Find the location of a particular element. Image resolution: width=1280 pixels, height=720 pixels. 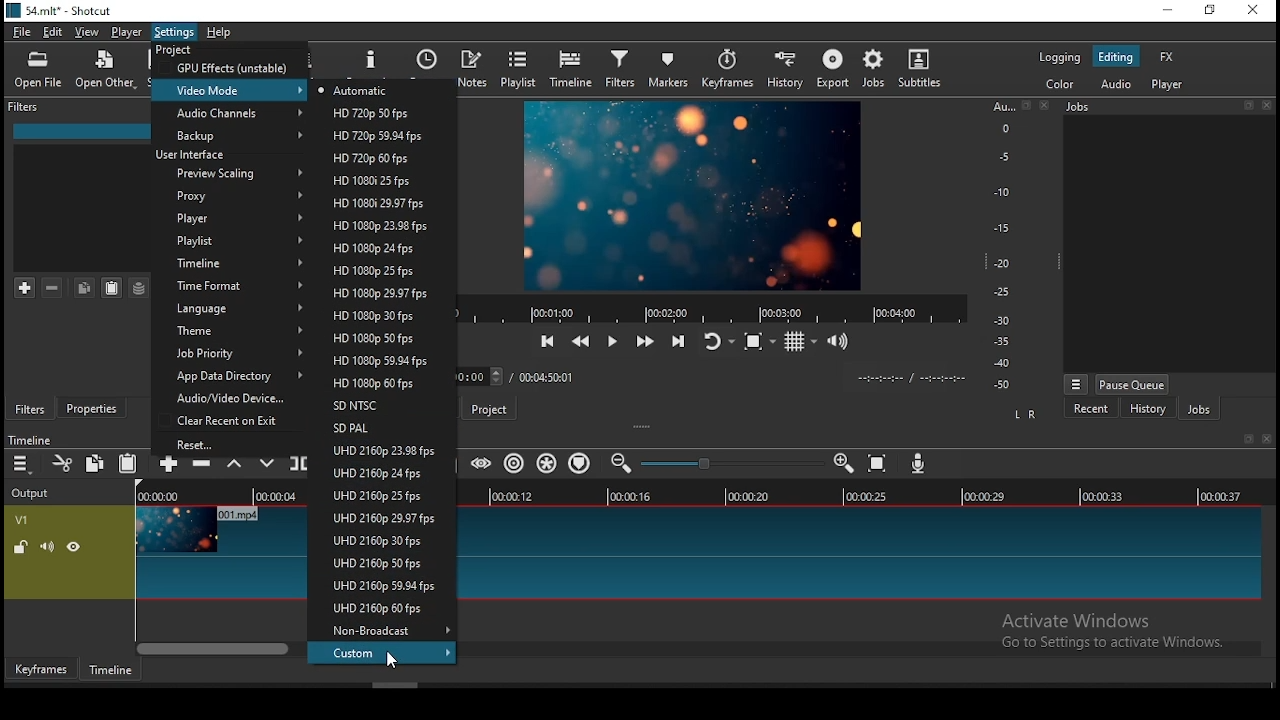

skip to the previous point is located at coordinates (546, 342).